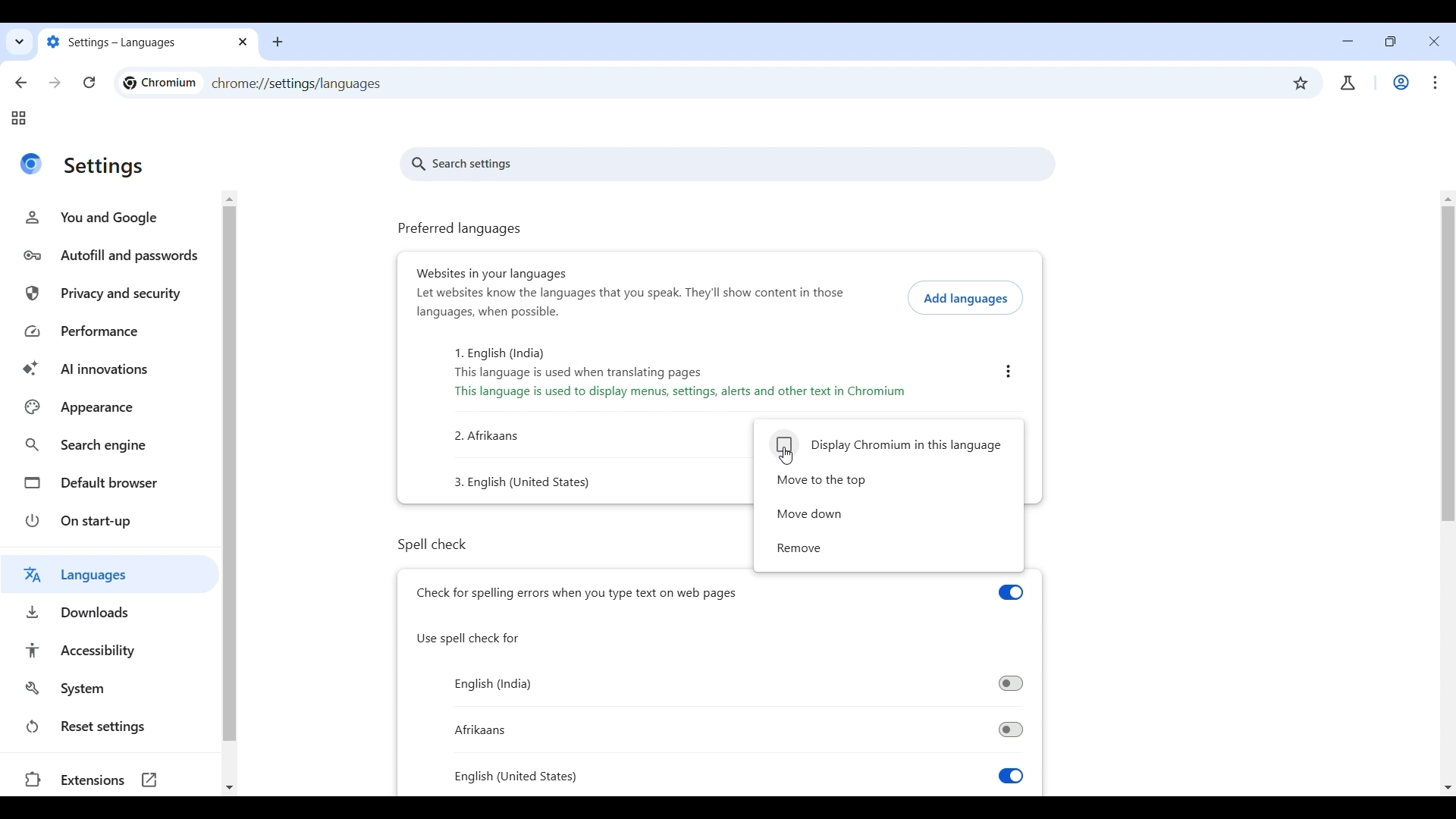 Image resolution: width=1456 pixels, height=819 pixels. What do you see at coordinates (730, 165) in the screenshot?
I see `search settings` at bounding box center [730, 165].